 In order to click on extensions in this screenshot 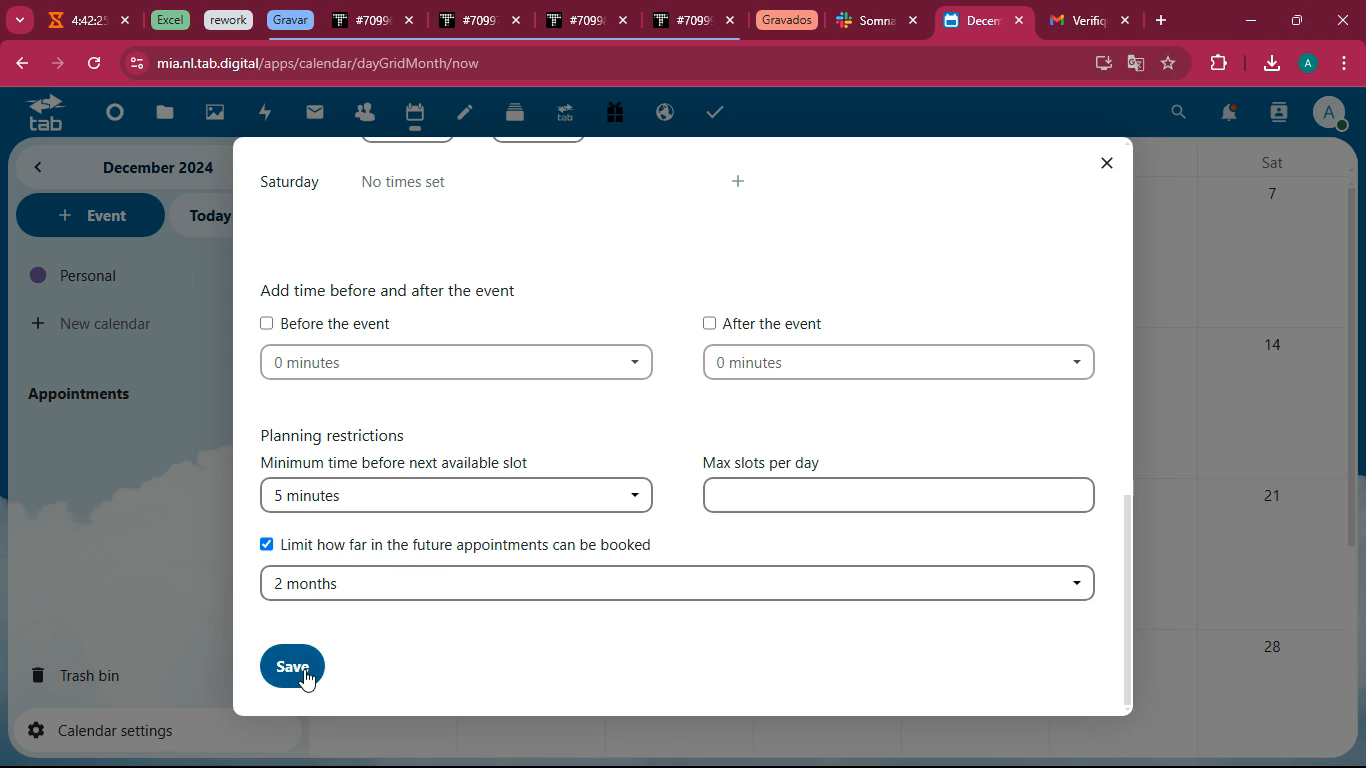, I will do `click(1215, 64)`.